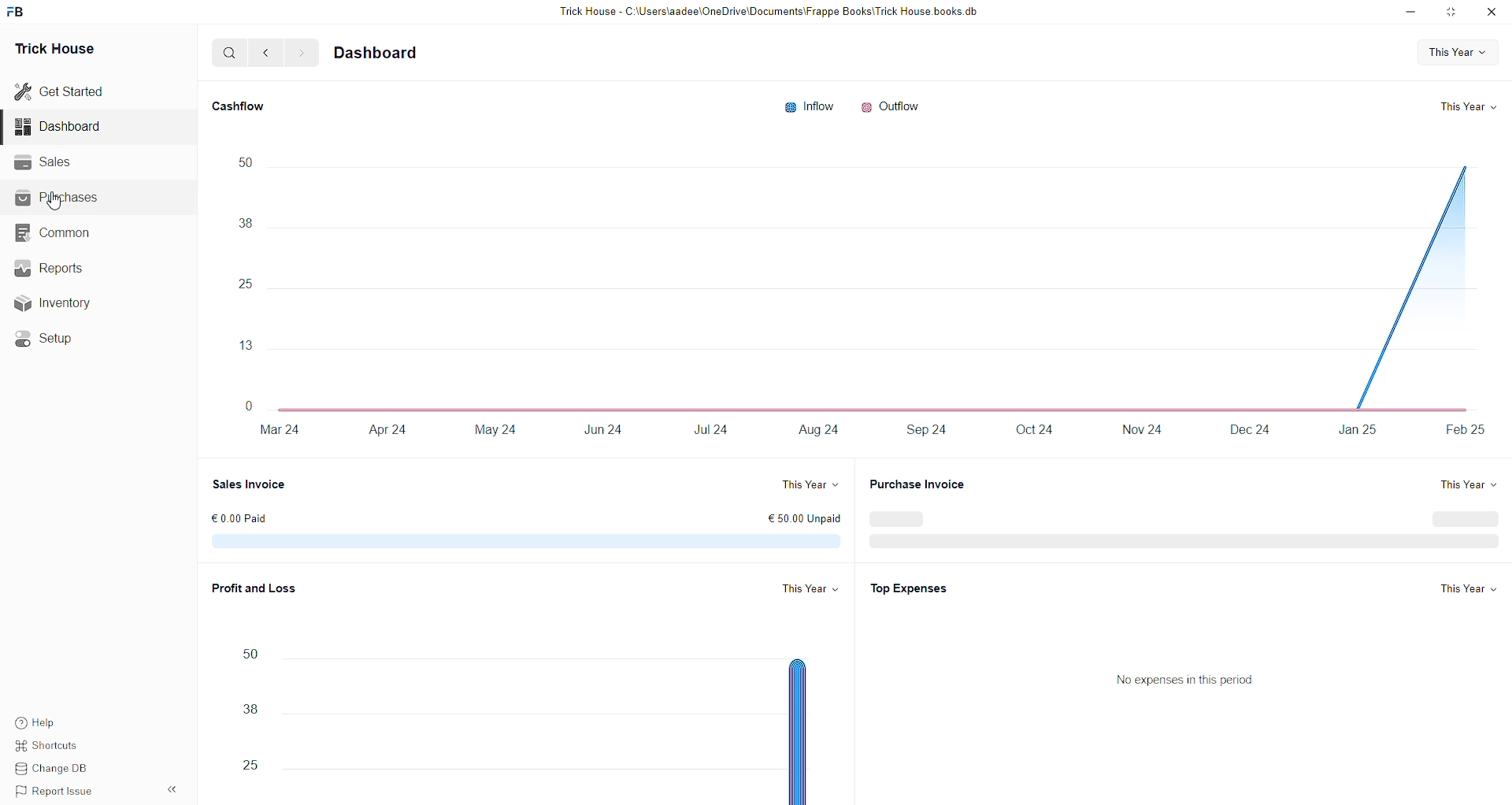 This screenshot has height=805, width=1512. I want to click on Aug 24, so click(823, 428).